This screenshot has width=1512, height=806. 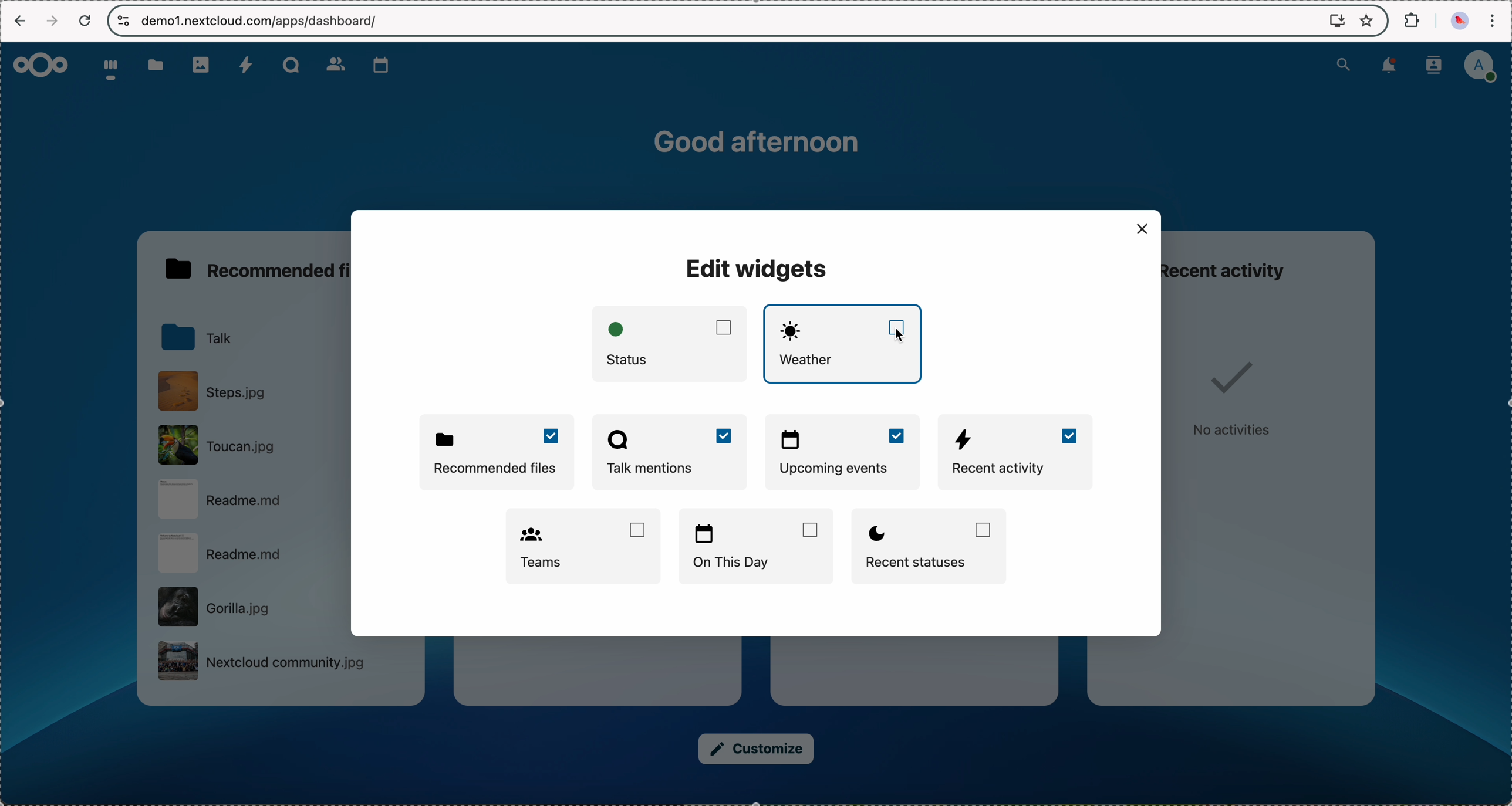 What do you see at coordinates (582, 547) in the screenshot?
I see `Teams` at bounding box center [582, 547].